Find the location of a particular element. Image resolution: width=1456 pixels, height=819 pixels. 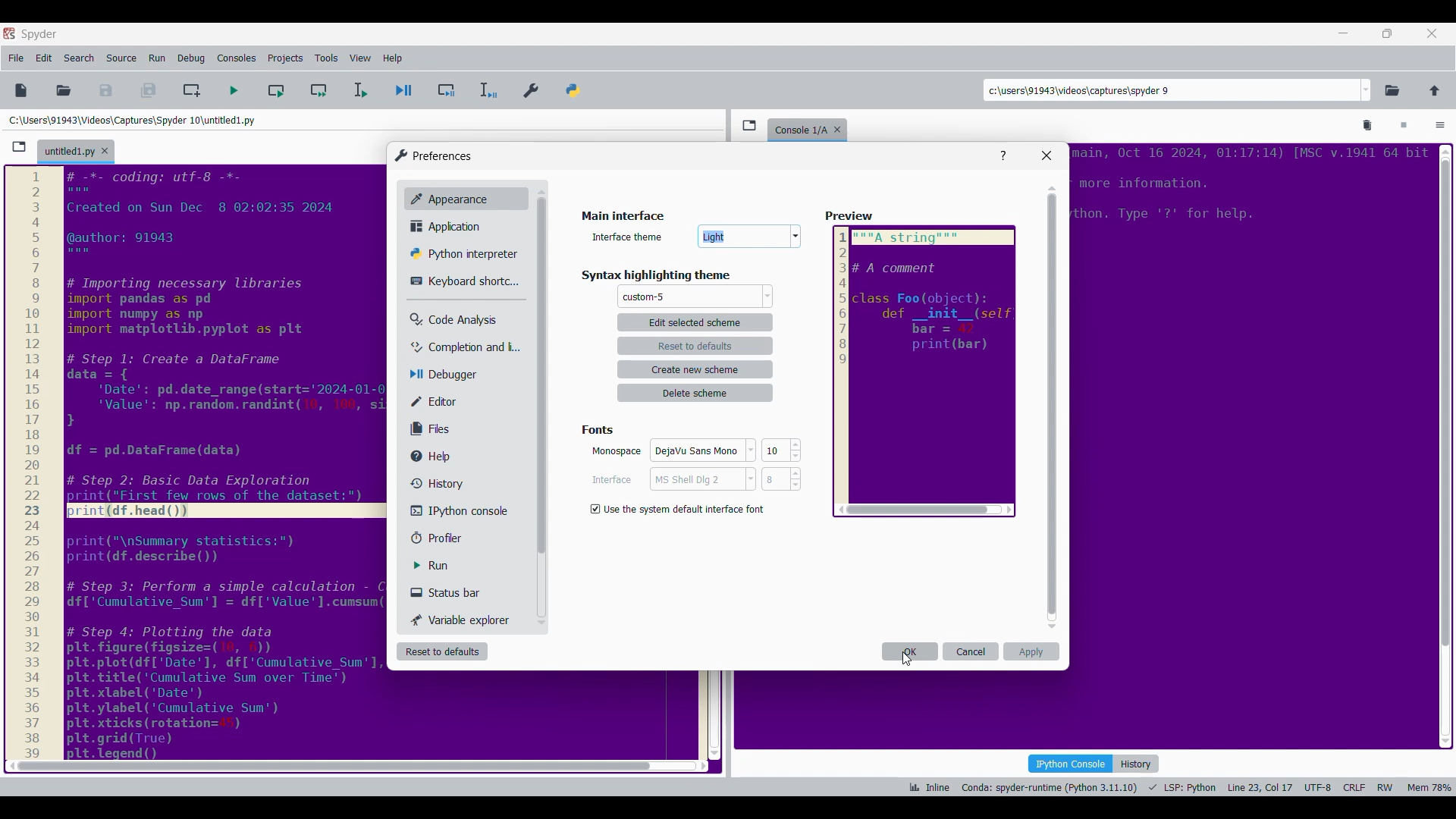

Preferences is located at coordinates (532, 87).